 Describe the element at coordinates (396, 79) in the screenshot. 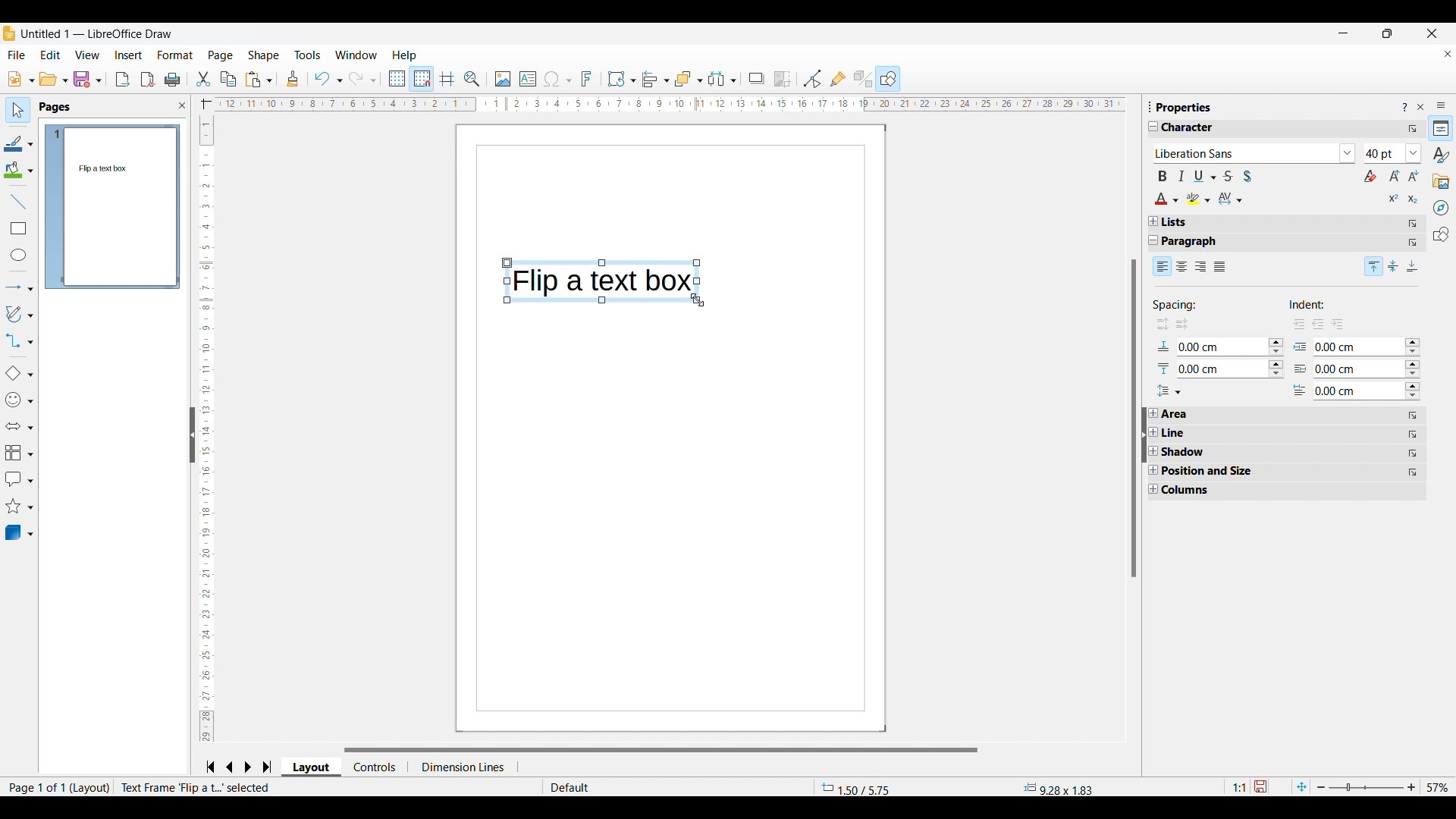

I see `Display grid` at that location.